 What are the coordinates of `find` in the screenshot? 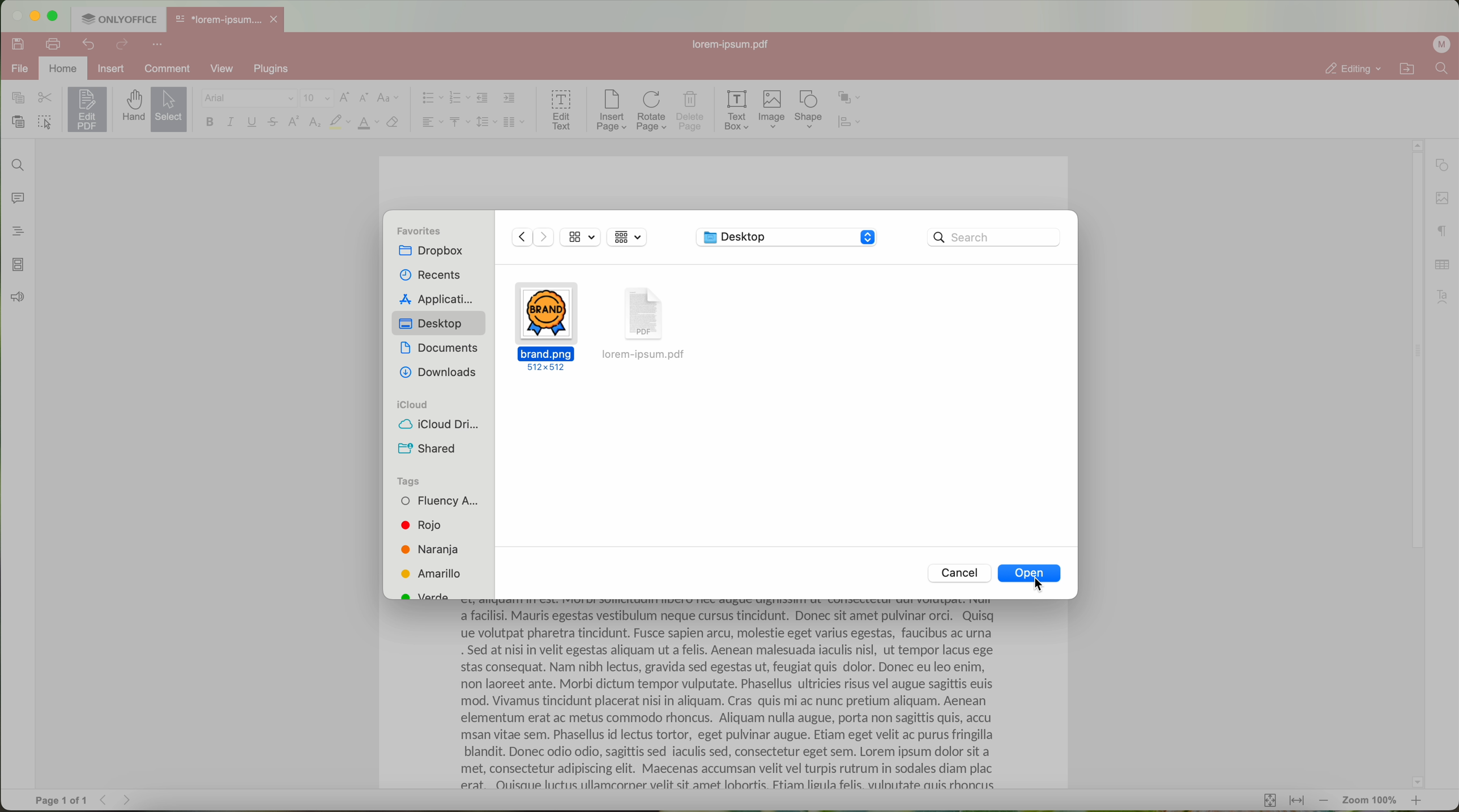 It's located at (1441, 68).